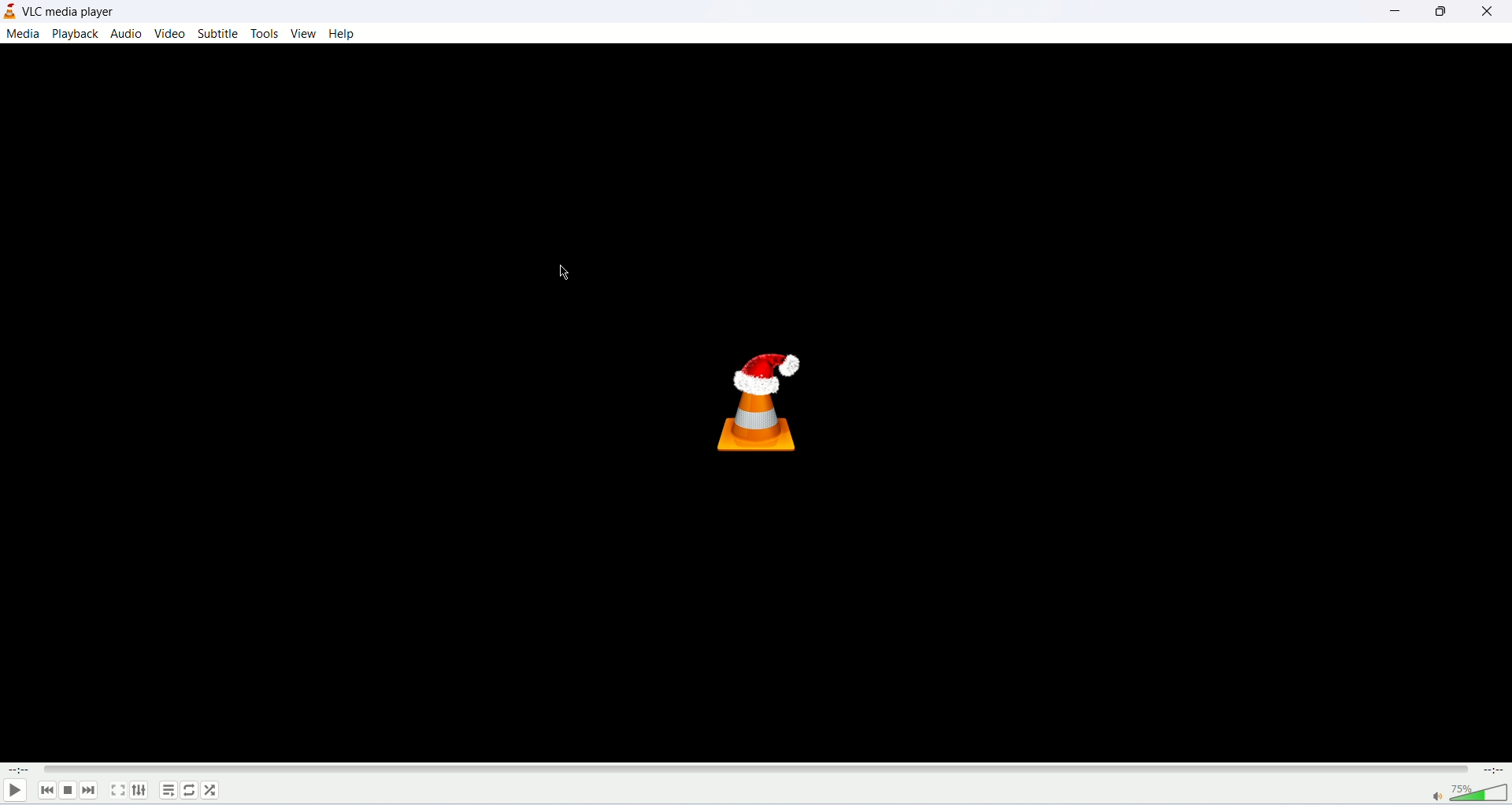 This screenshot has height=805, width=1512. I want to click on play/pause, so click(15, 792).